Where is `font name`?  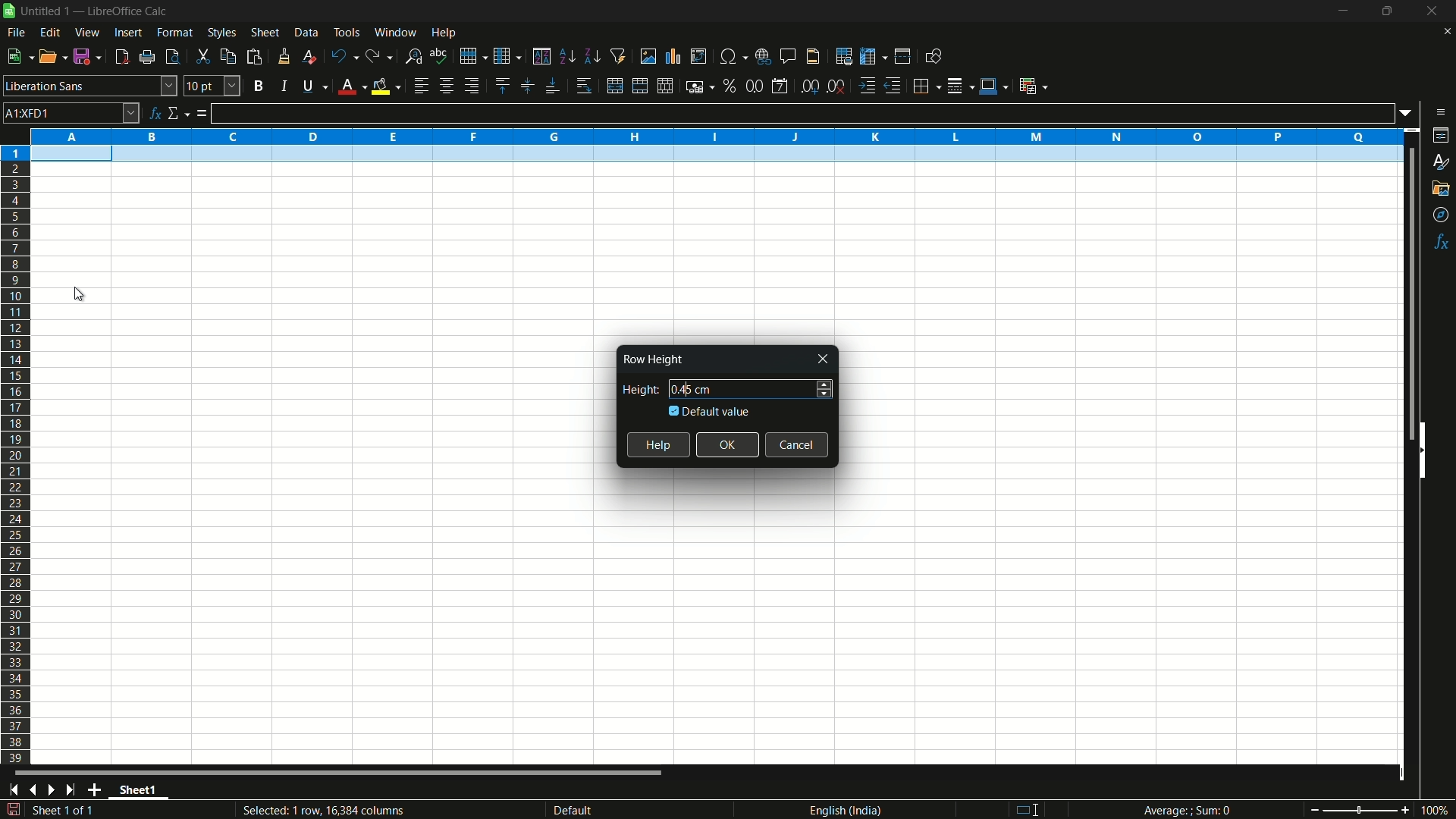 font name is located at coordinates (90, 86).